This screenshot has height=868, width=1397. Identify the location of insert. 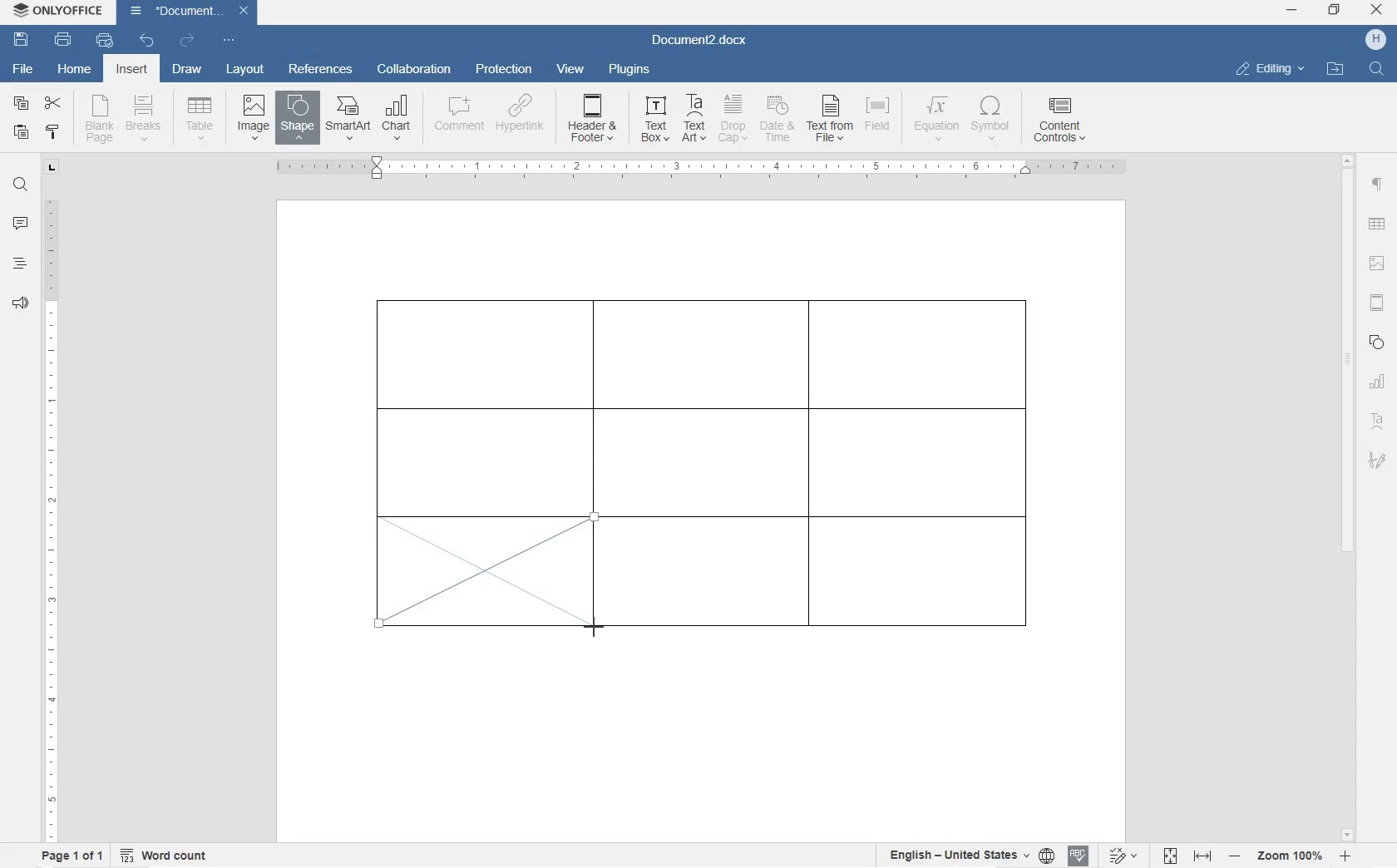
(131, 70).